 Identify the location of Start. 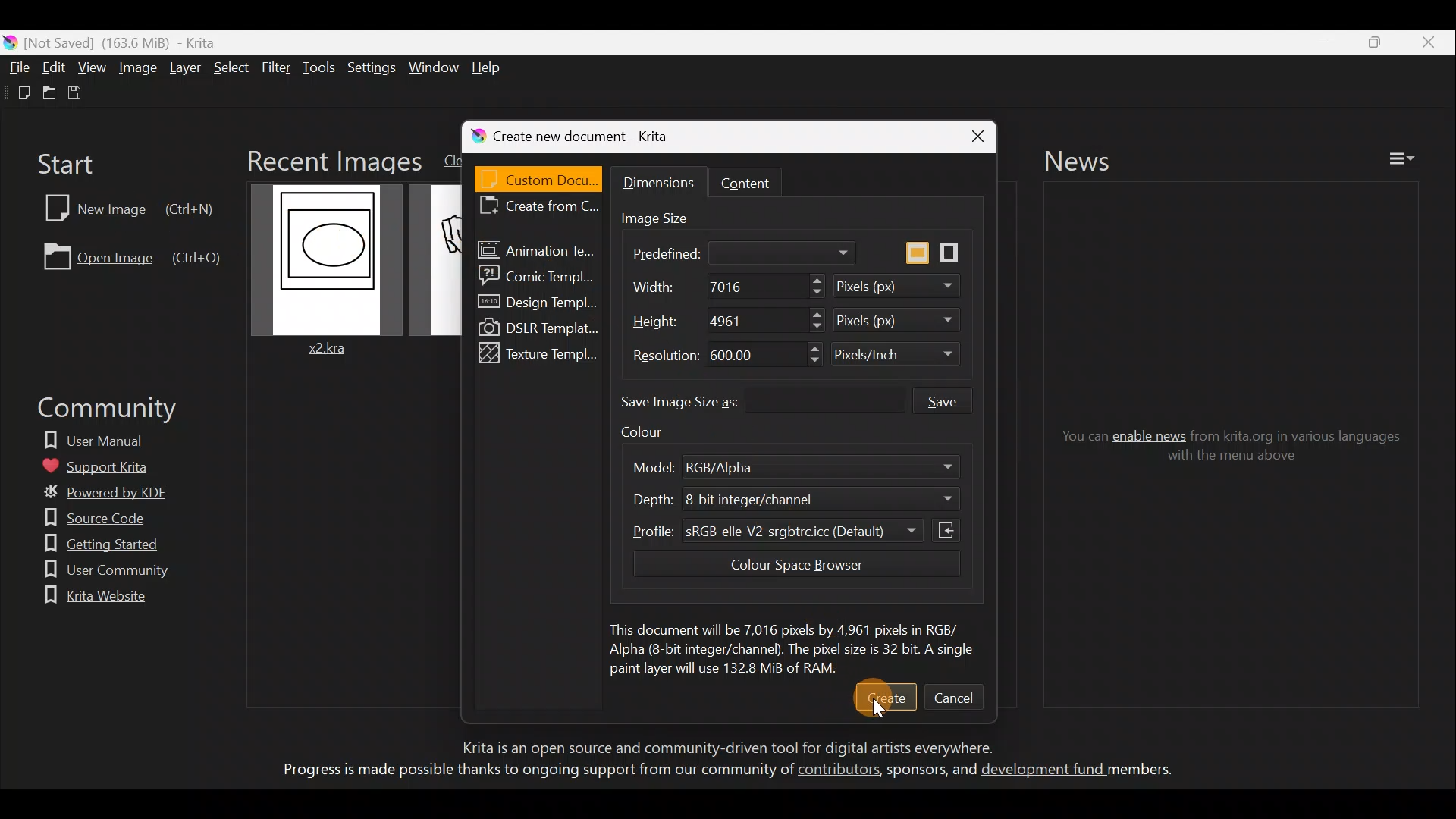
(69, 162).